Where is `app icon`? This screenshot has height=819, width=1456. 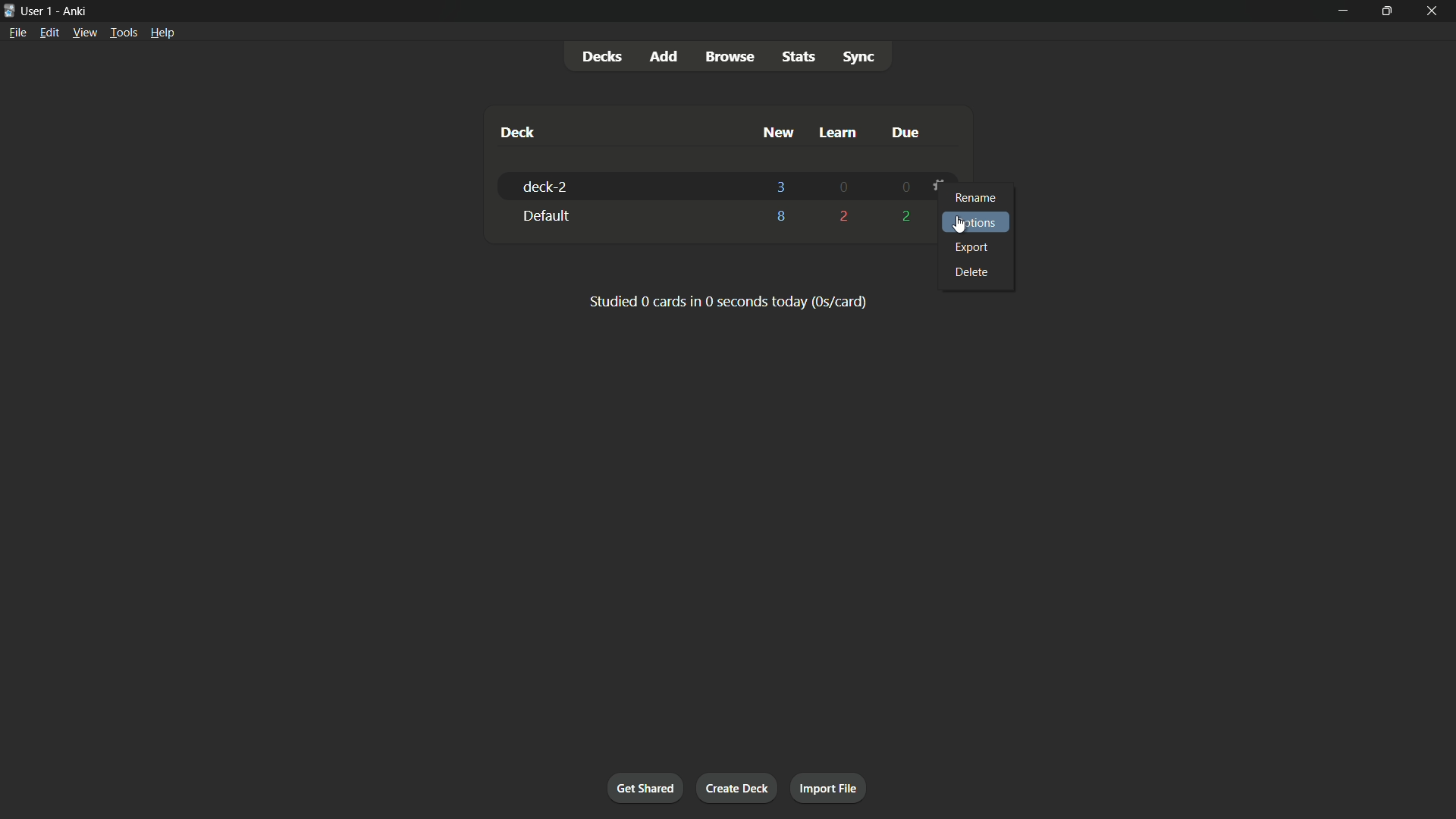 app icon is located at coordinates (9, 10).